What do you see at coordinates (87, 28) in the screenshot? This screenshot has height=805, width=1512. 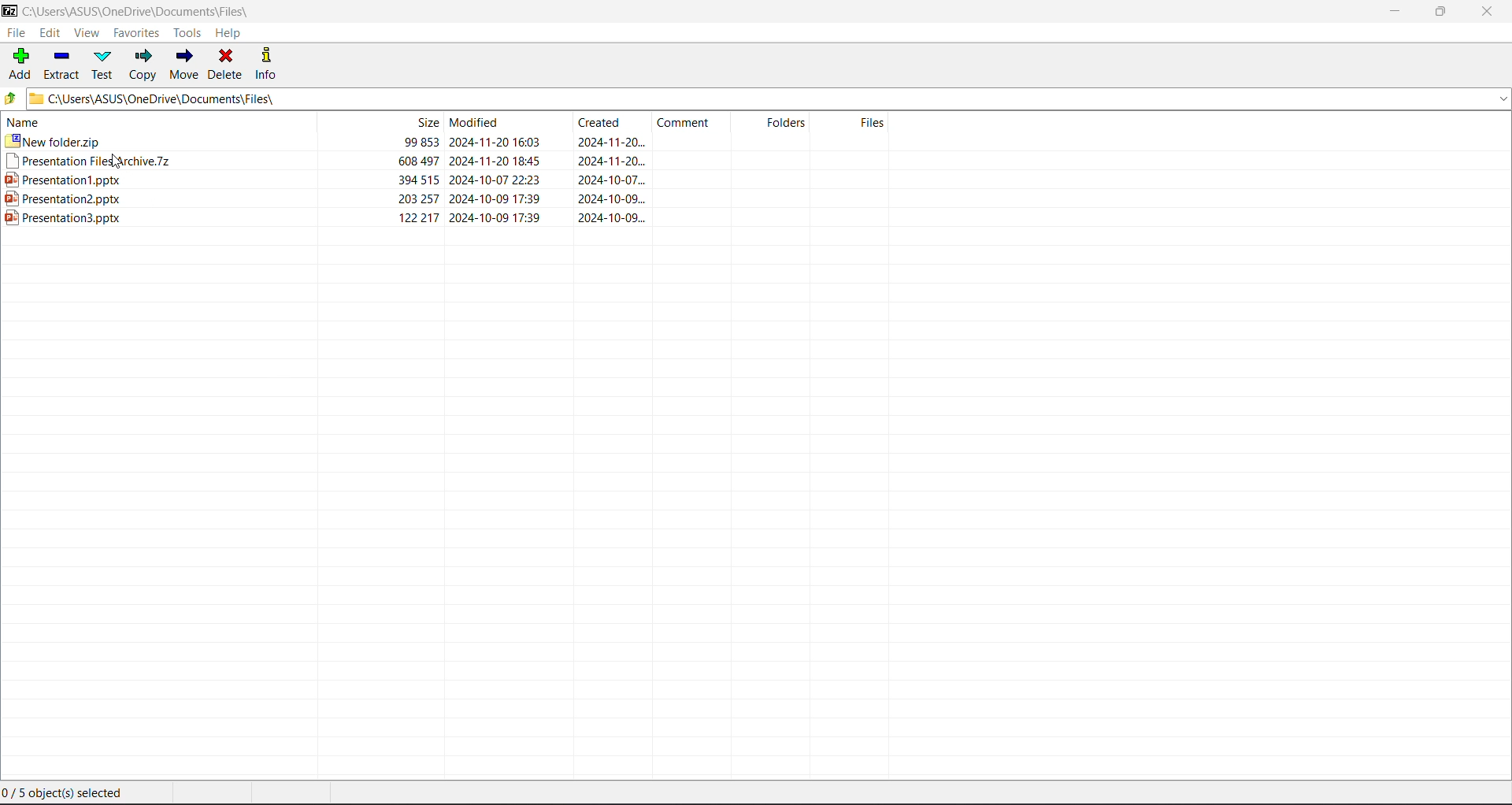 I see `View` at bounding box center [87, 28].